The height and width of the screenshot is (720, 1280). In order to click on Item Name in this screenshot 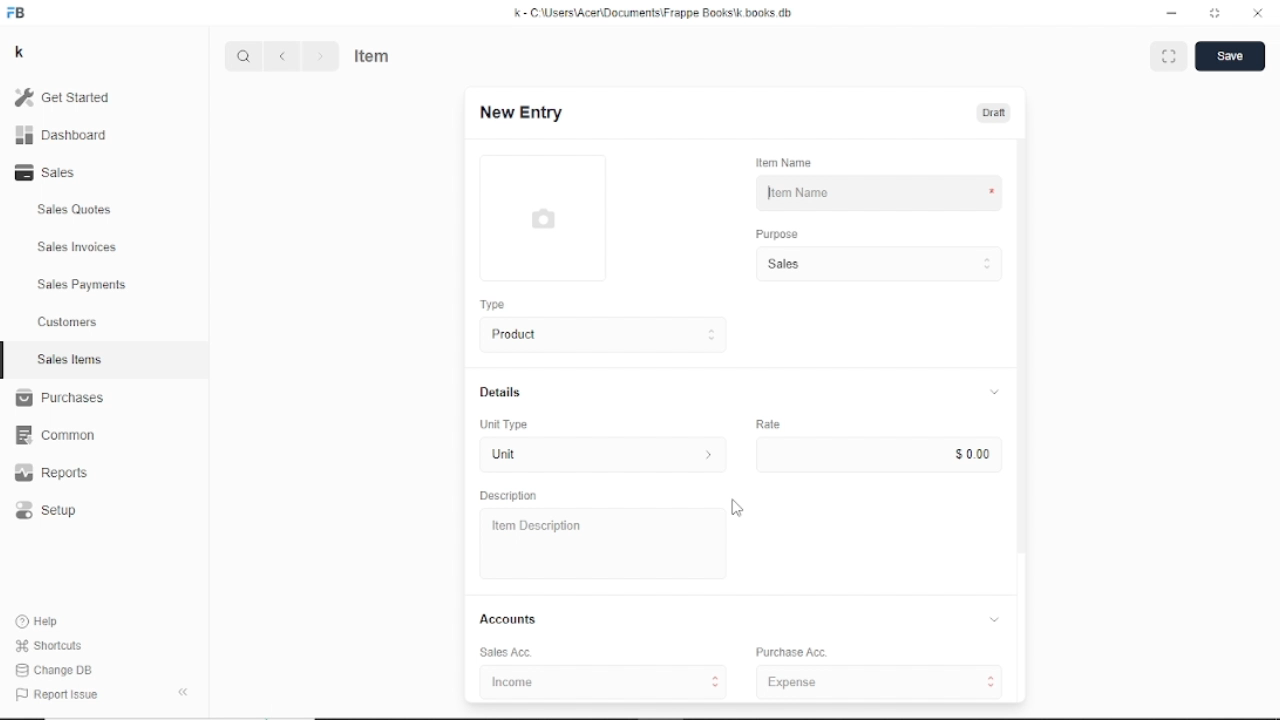, I will do `click(799, 192)`.